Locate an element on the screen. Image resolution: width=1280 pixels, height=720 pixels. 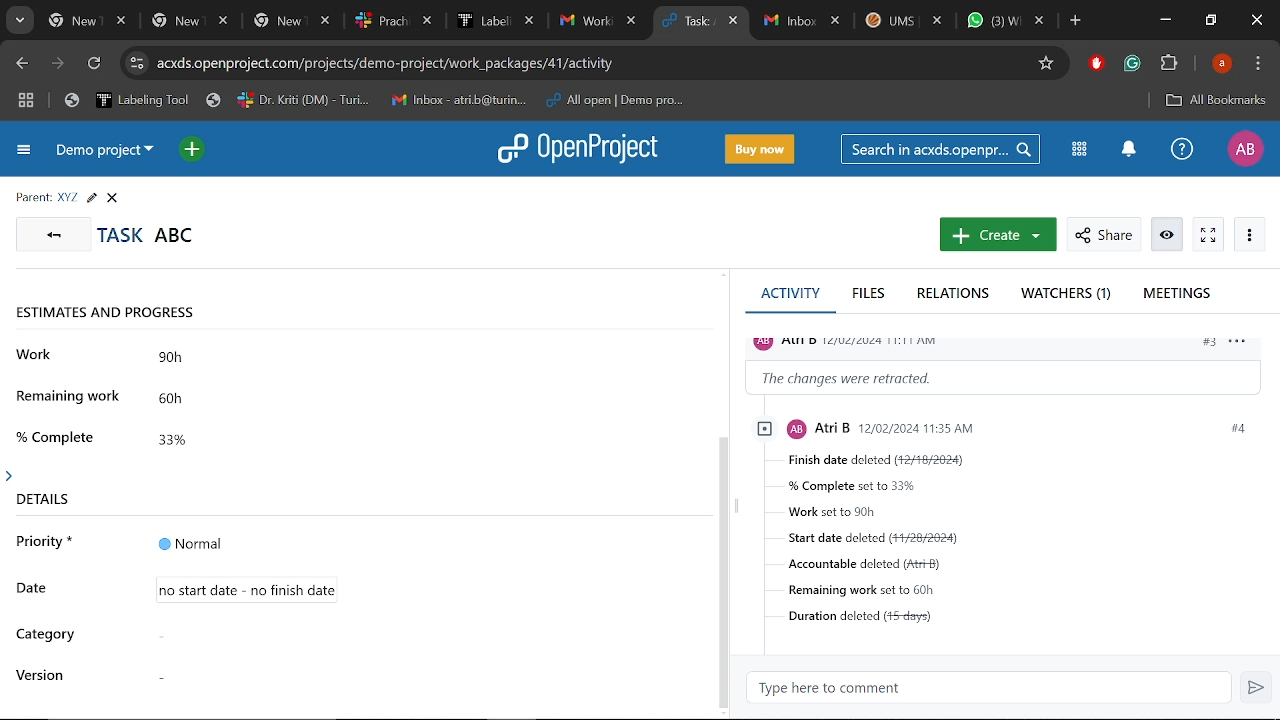
Modules is located at coordinates (1080, 151).